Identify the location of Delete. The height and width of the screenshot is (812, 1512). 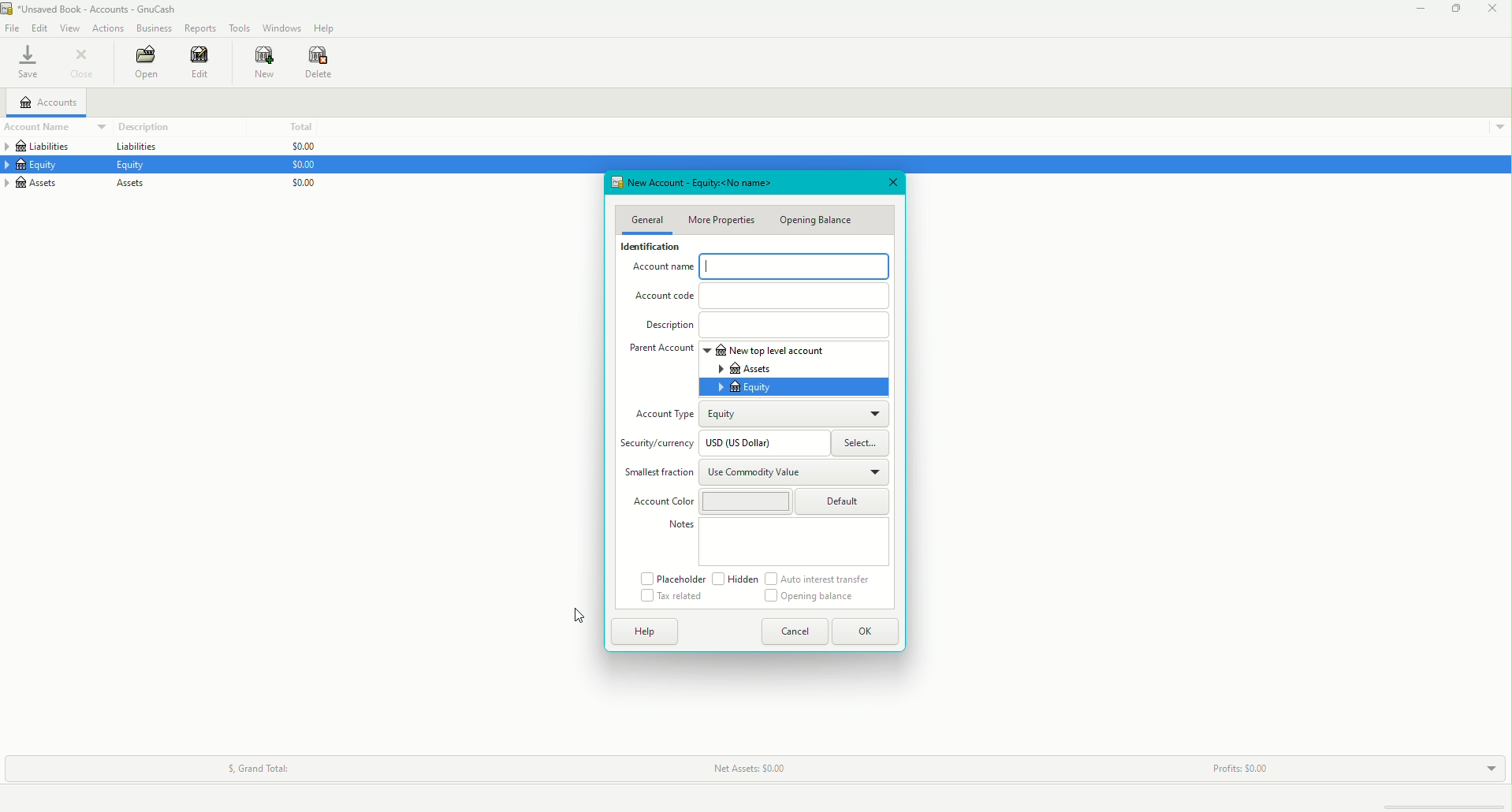
(322, 62).